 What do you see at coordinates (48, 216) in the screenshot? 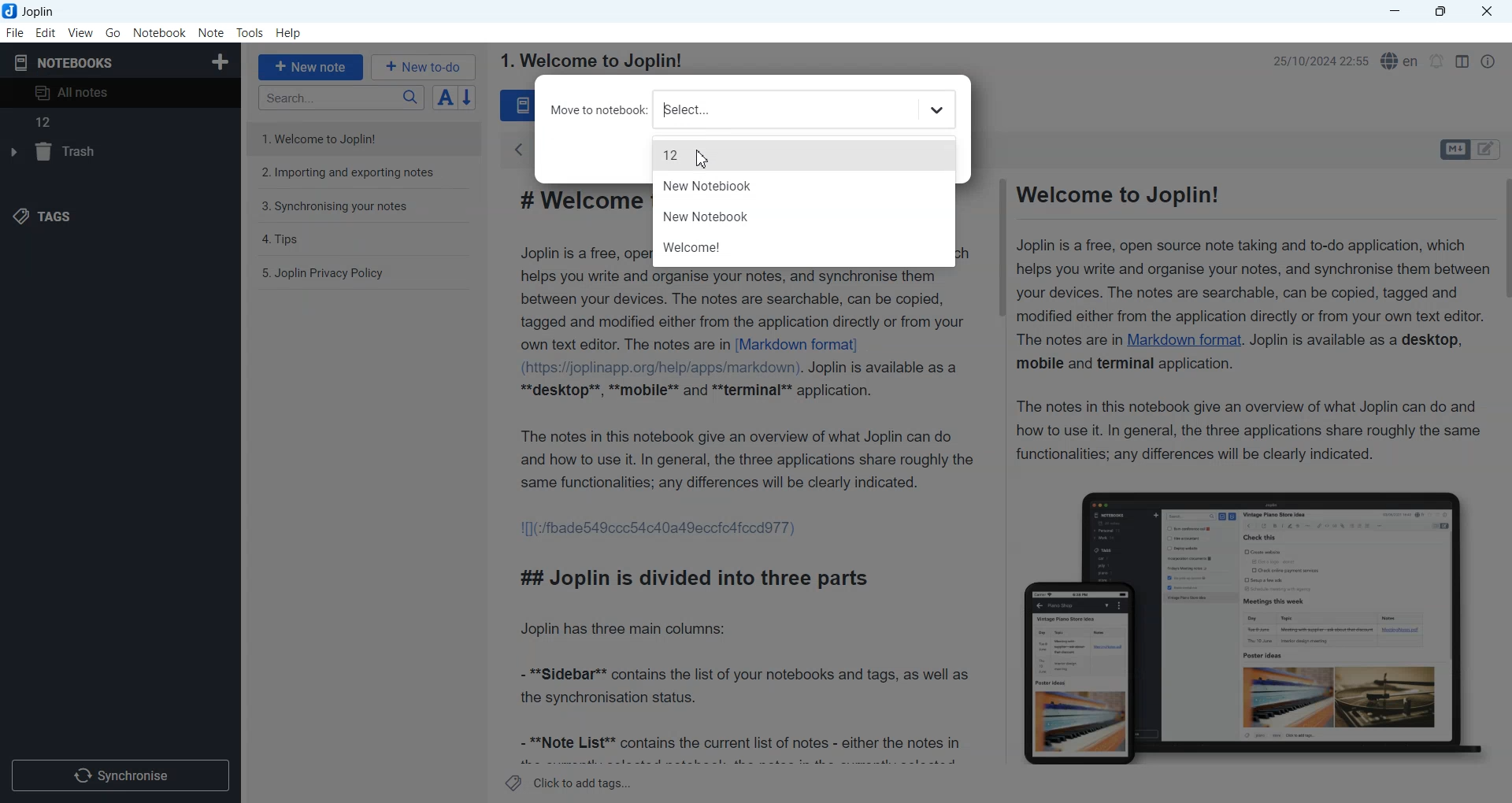
I see `Tags` at bounding box center [48, 216].